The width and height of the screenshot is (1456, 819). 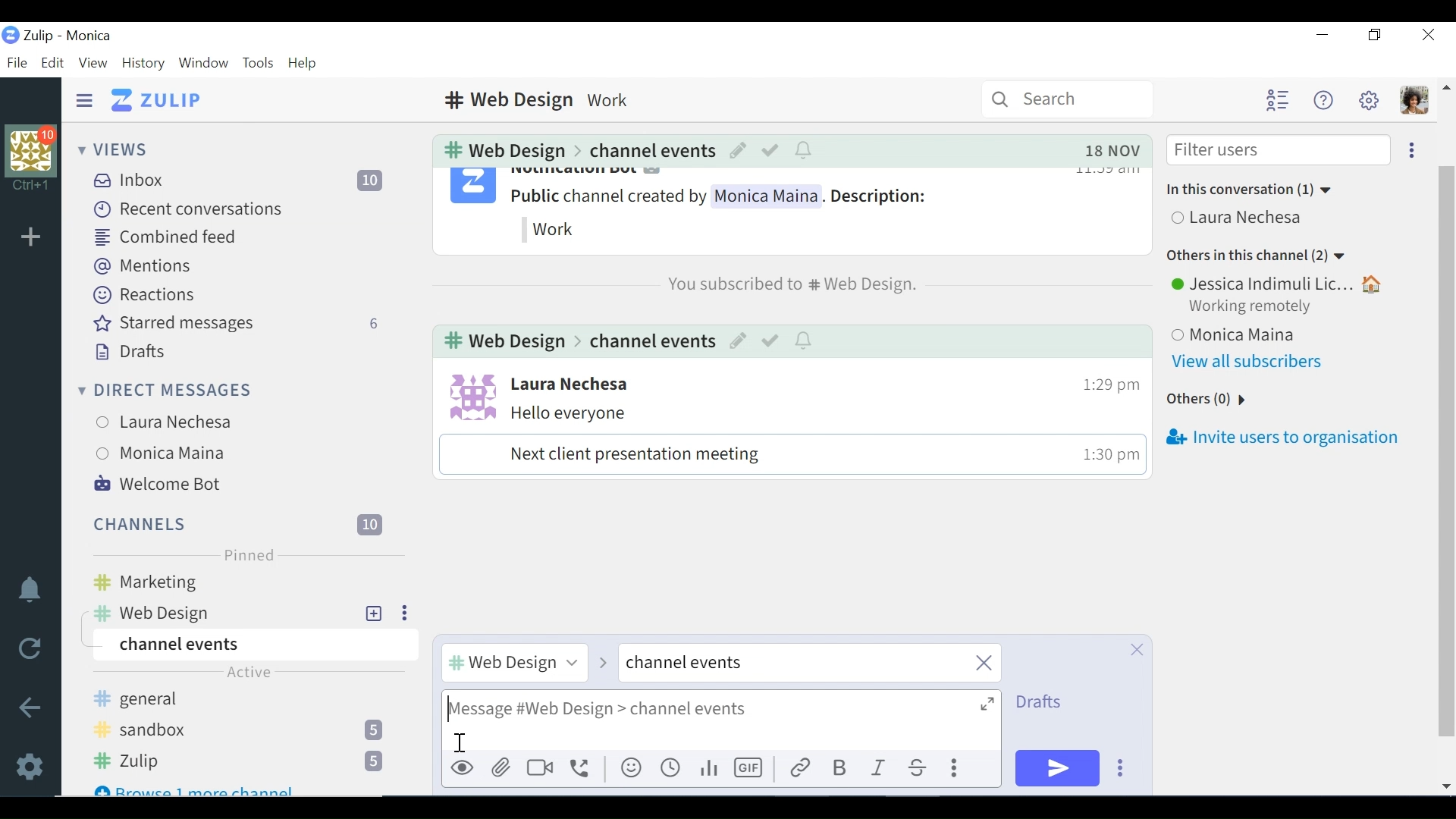 What do you see at coordinates (650, 149) in the screenshot?
I see `Channel events` at bounding box center [650, 149].